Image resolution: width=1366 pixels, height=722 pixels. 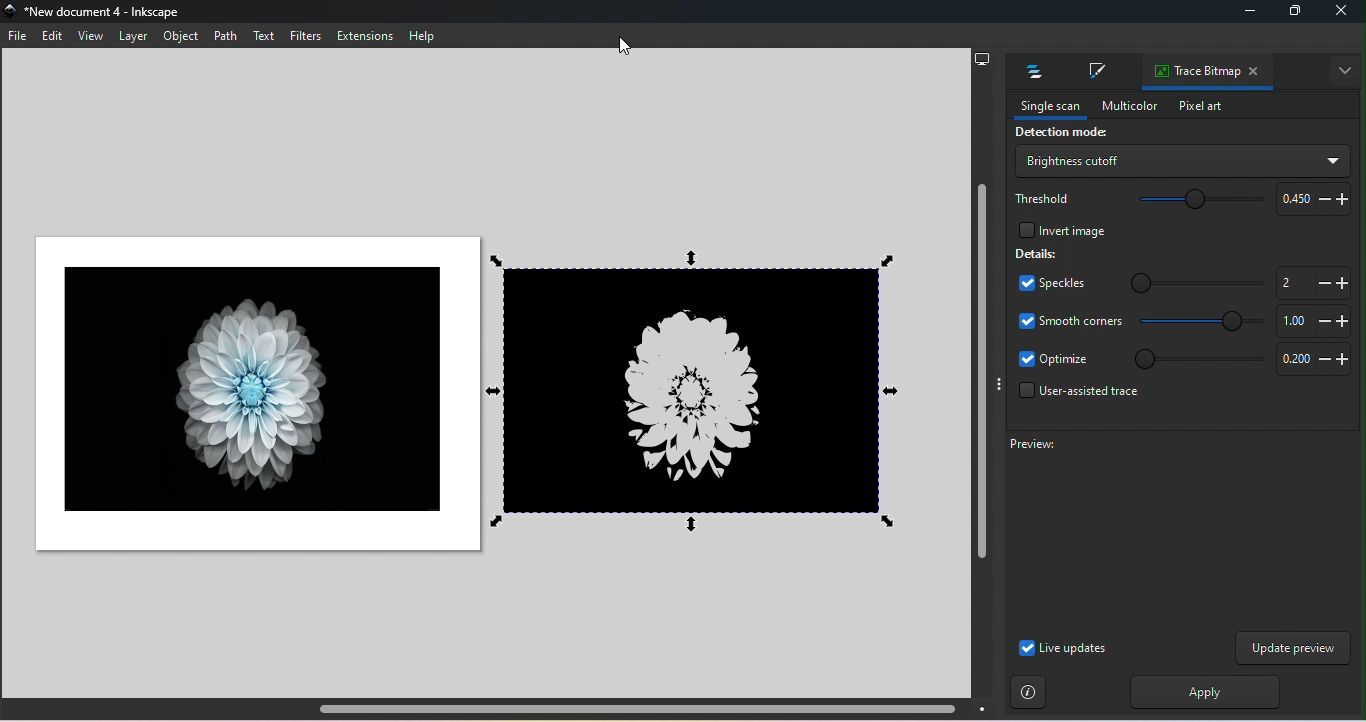 What do you see at coordinates (304, 35) in the screenshot?
I see `Filters` at bounding box center [304, 35].